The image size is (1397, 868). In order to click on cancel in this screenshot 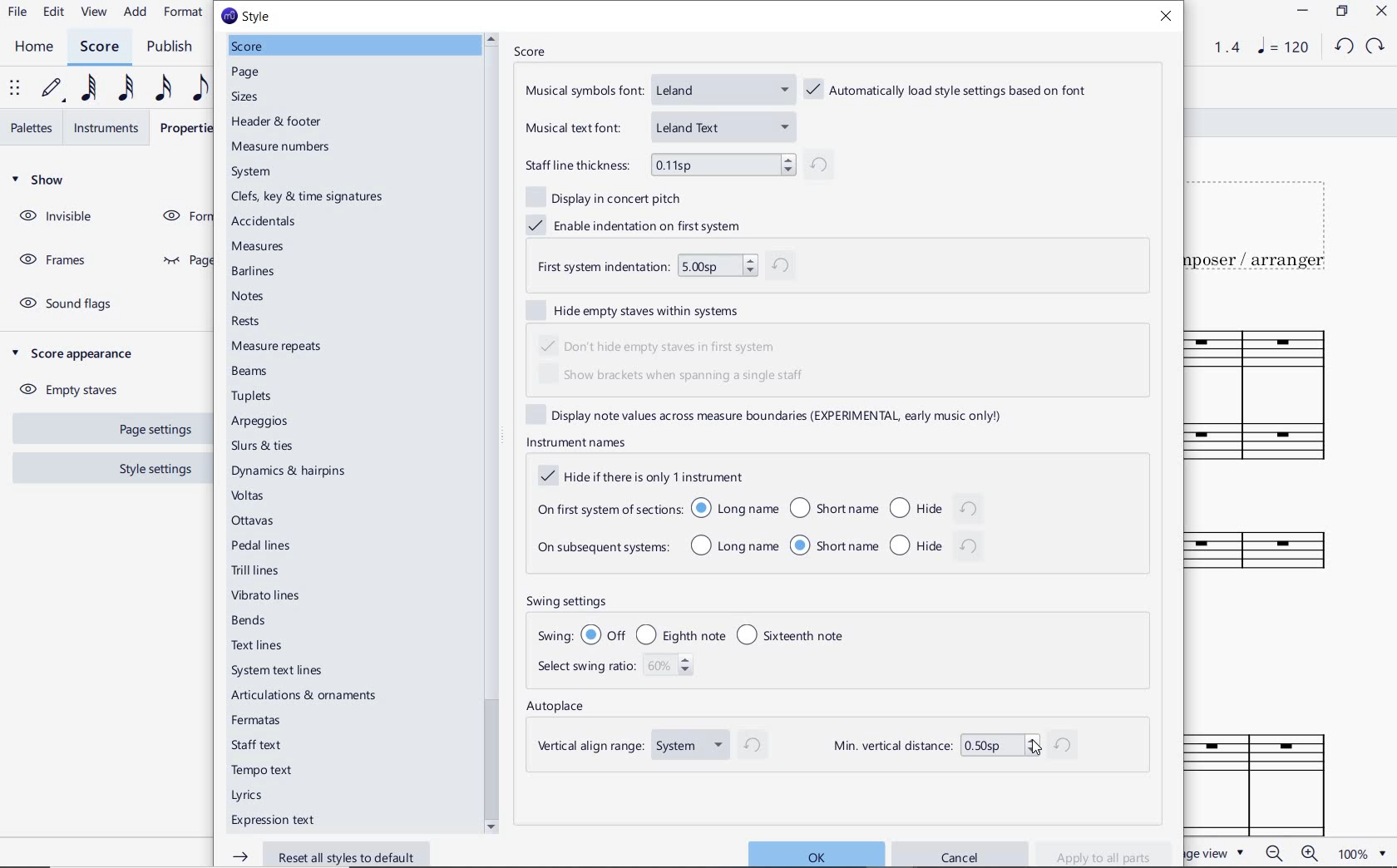, I will do `click(962, 851)`.